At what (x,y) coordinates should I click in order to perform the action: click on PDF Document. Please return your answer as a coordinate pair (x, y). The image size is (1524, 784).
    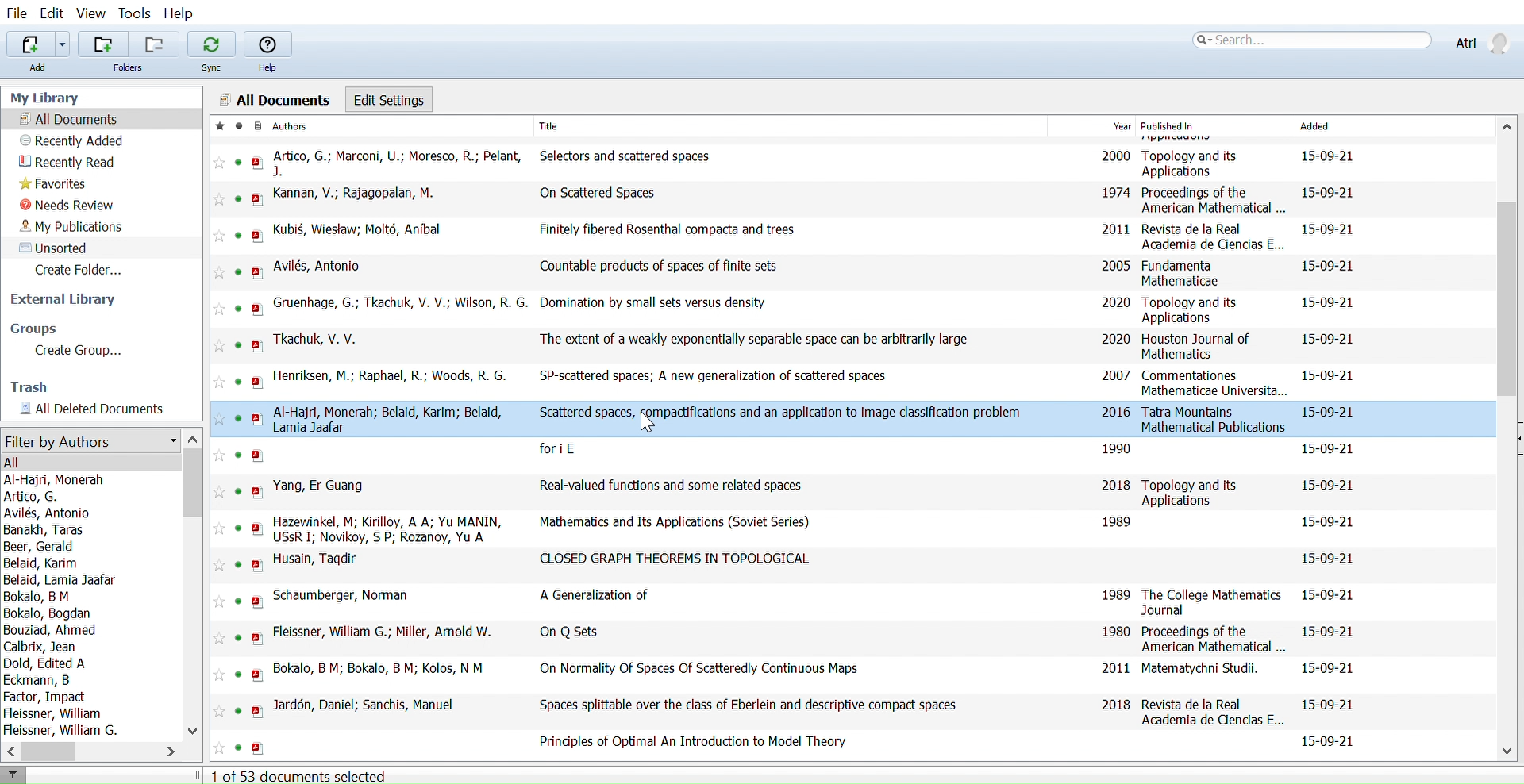
    Looking at the image, I should click on (261, 272).